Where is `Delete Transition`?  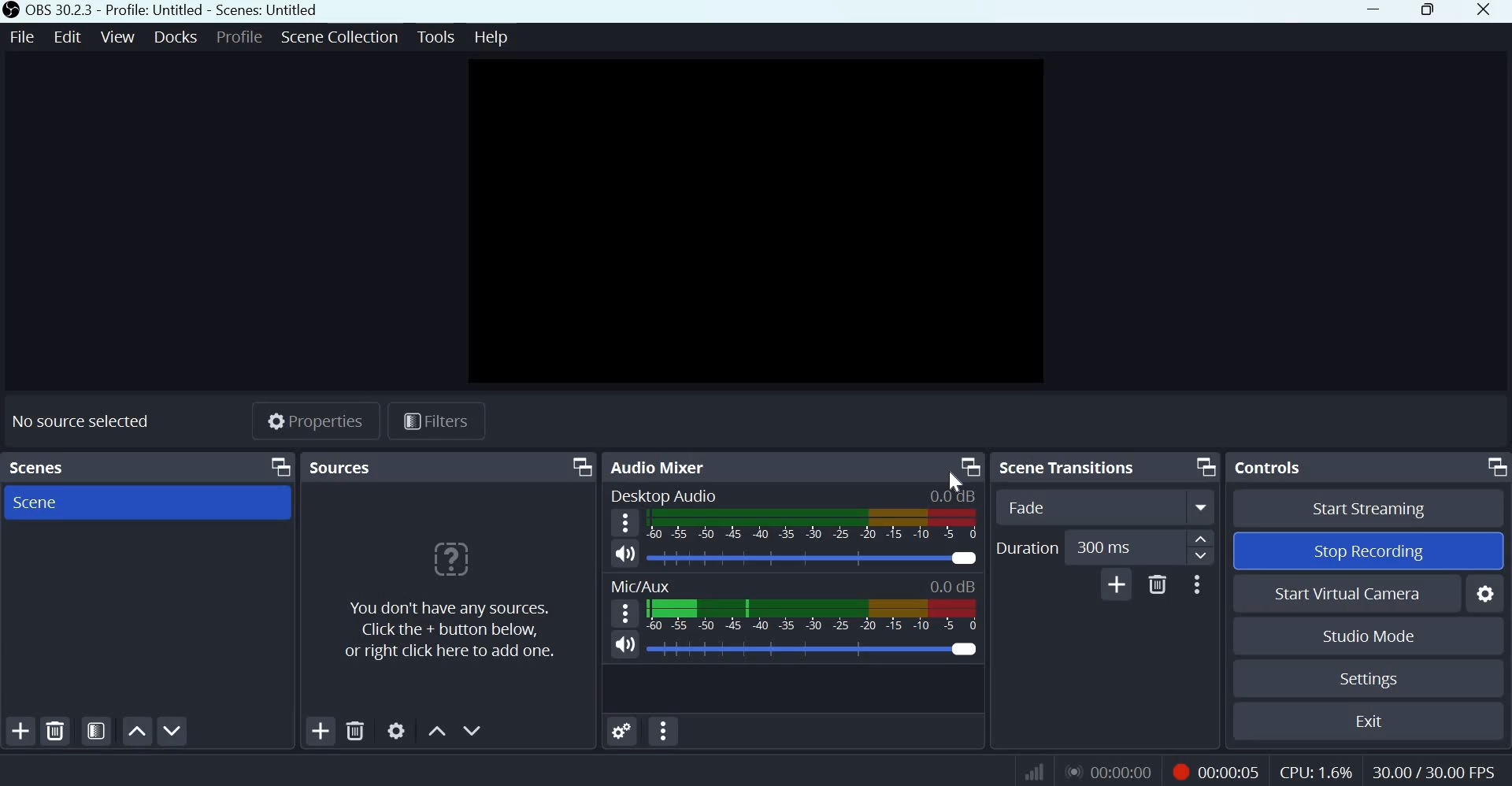 Delete Transition is located at coordinates (1157, 584).